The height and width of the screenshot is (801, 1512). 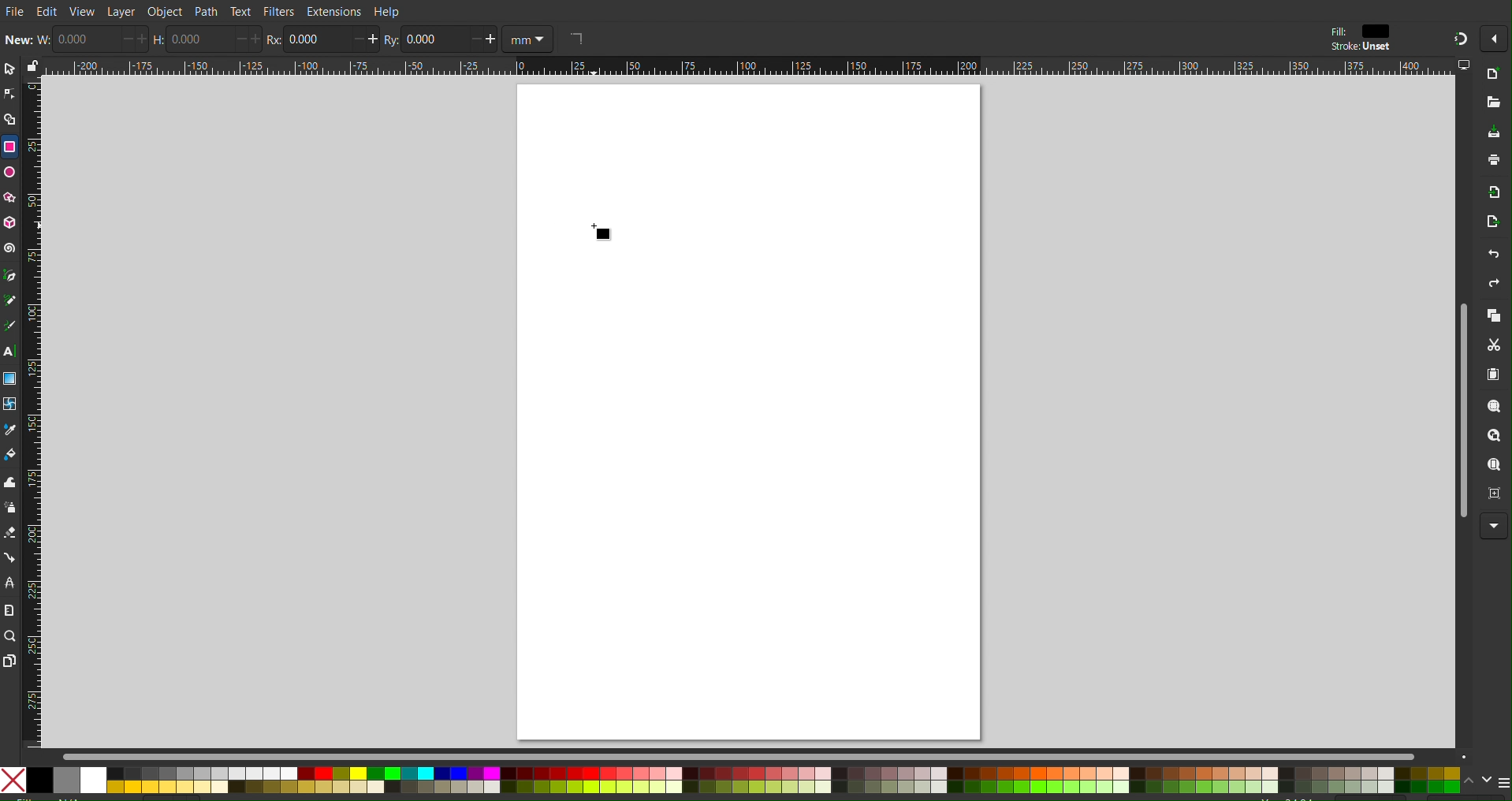 I want to click on Copy, so click(x=1495, y=317).